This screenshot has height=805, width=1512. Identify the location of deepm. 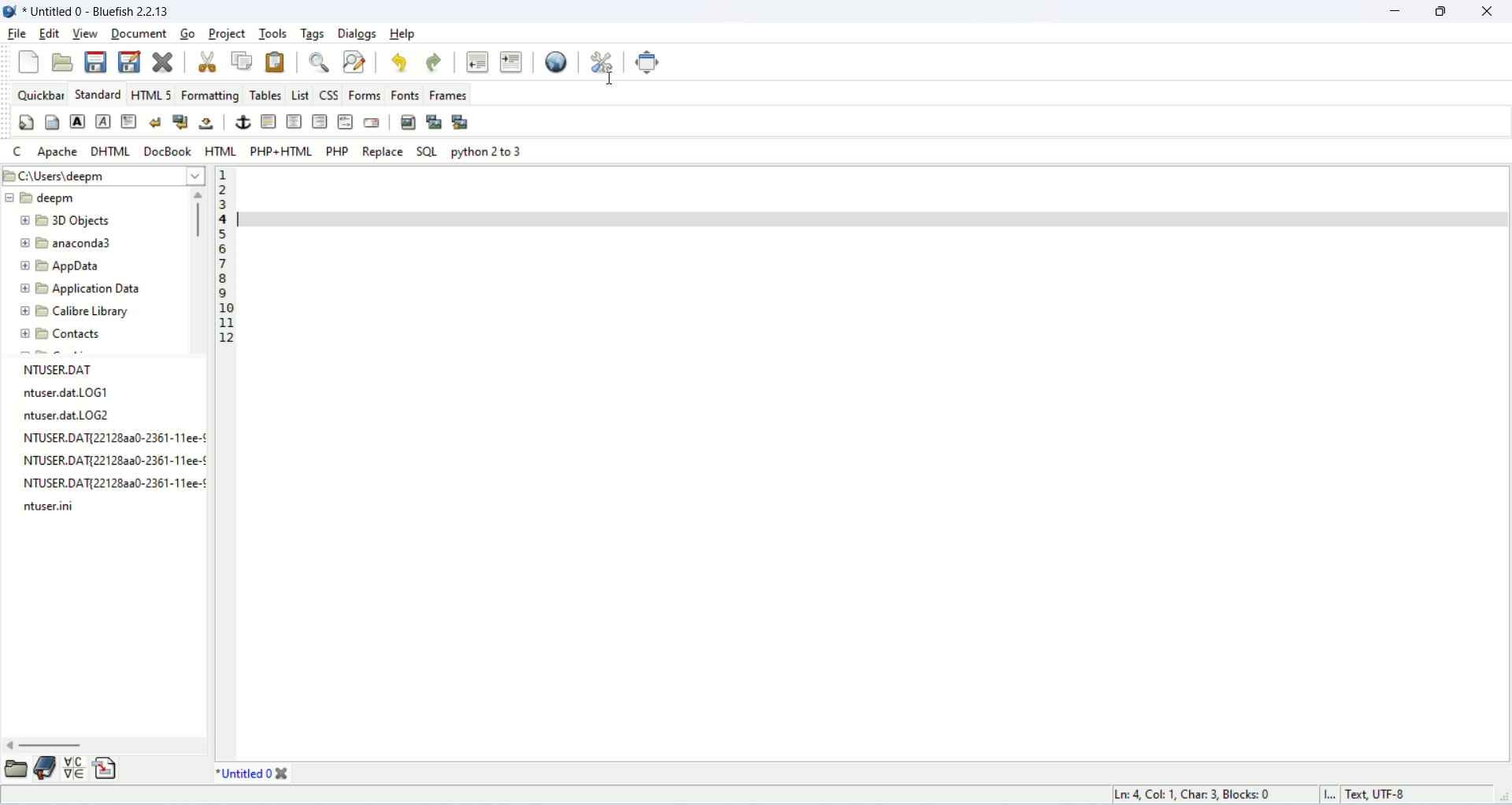
(43, 198).